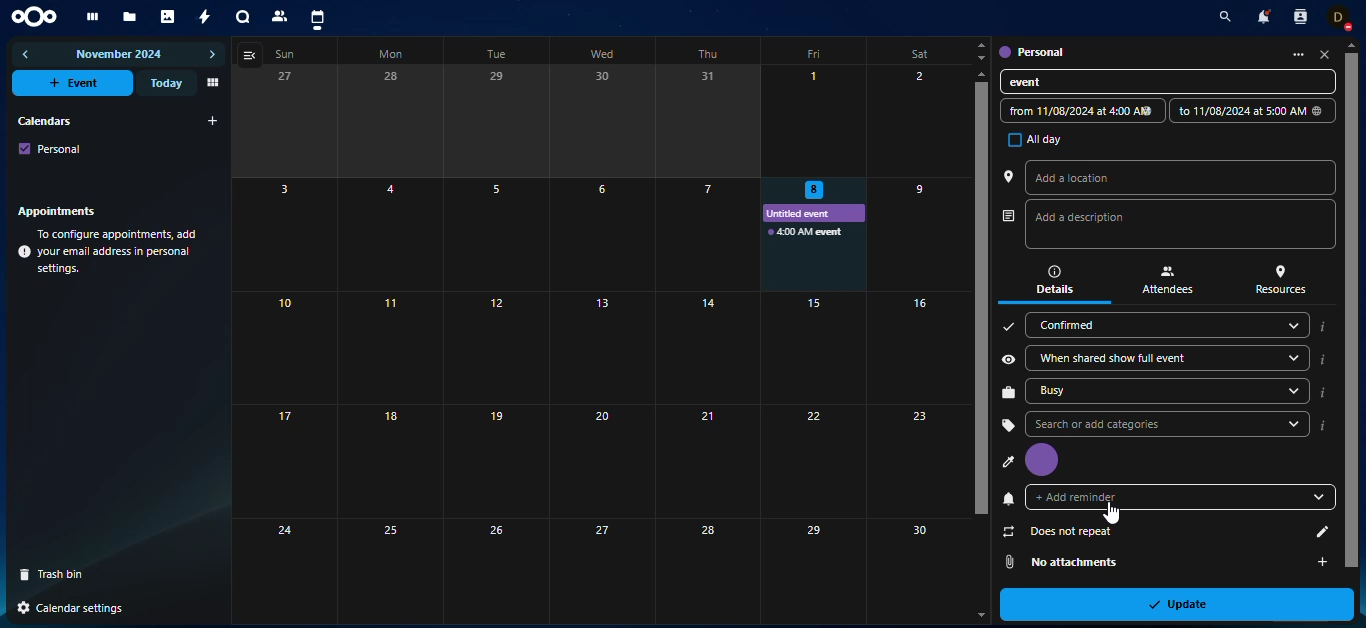  What do you see at coordinates (605, 122) in the screenshot?
I see `30` at bounding box center [605, 122].